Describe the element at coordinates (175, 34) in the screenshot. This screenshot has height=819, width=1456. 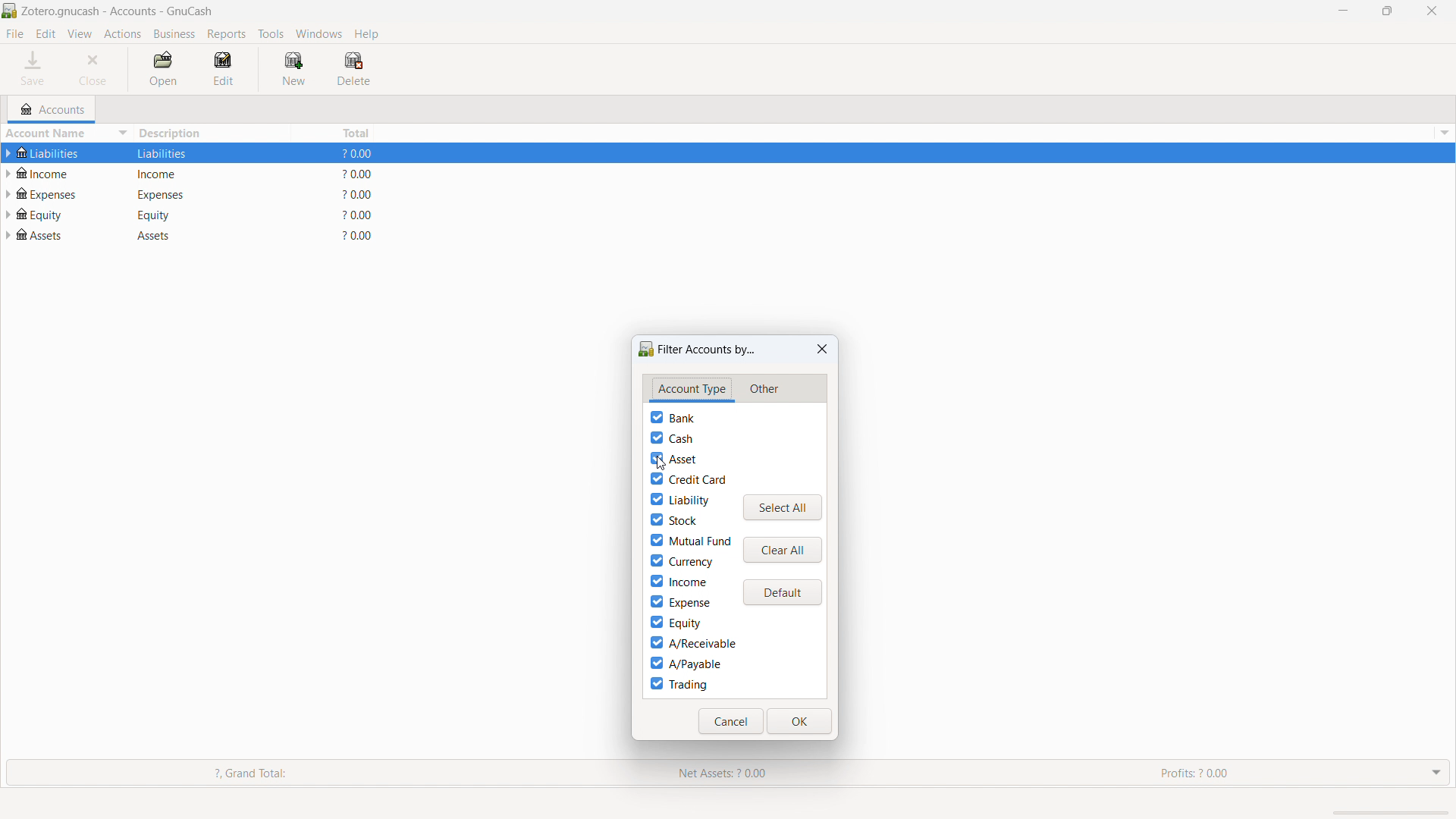
I see `business` at that location.